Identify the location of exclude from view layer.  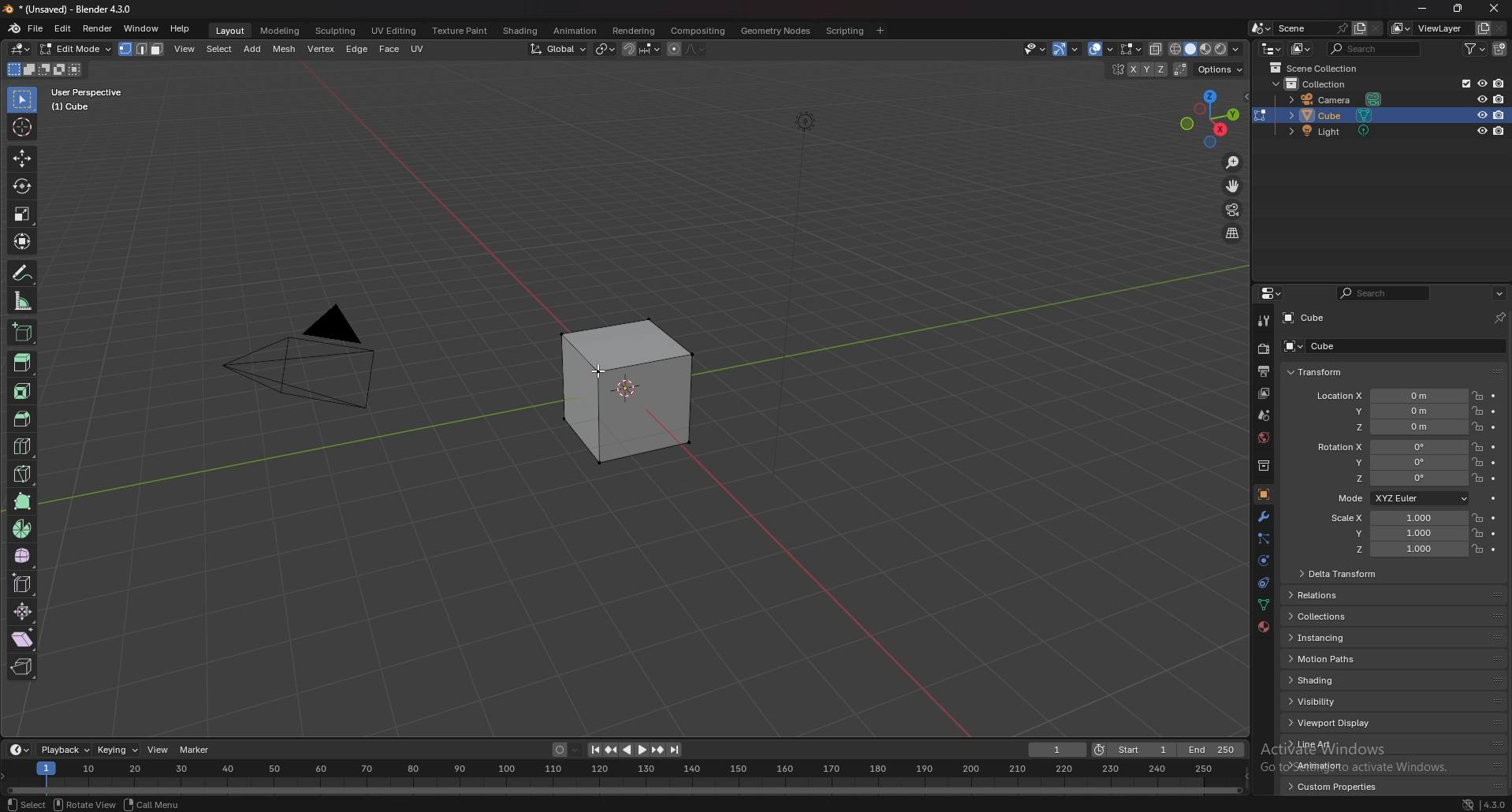
(1465, 84).